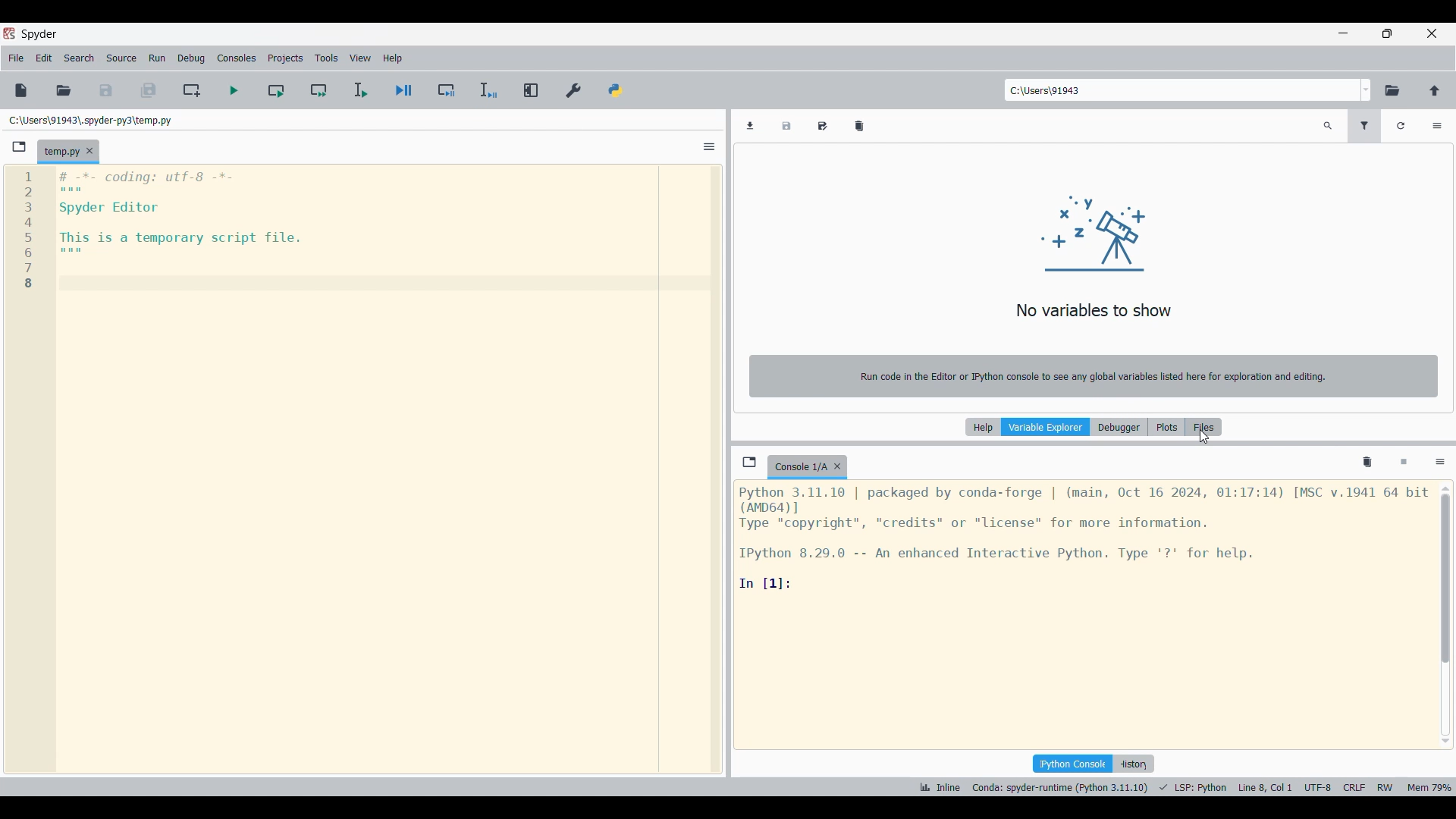  I want to click on Search menu, so click(80, 58).